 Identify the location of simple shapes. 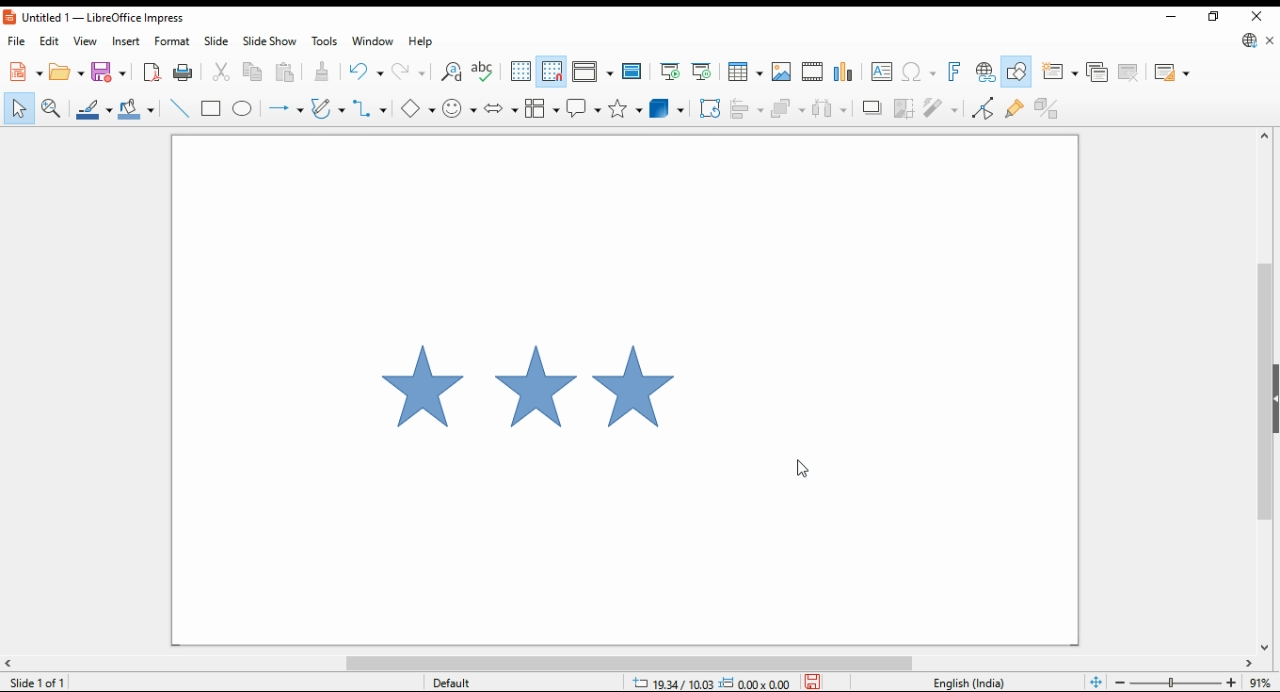
(419, 109).